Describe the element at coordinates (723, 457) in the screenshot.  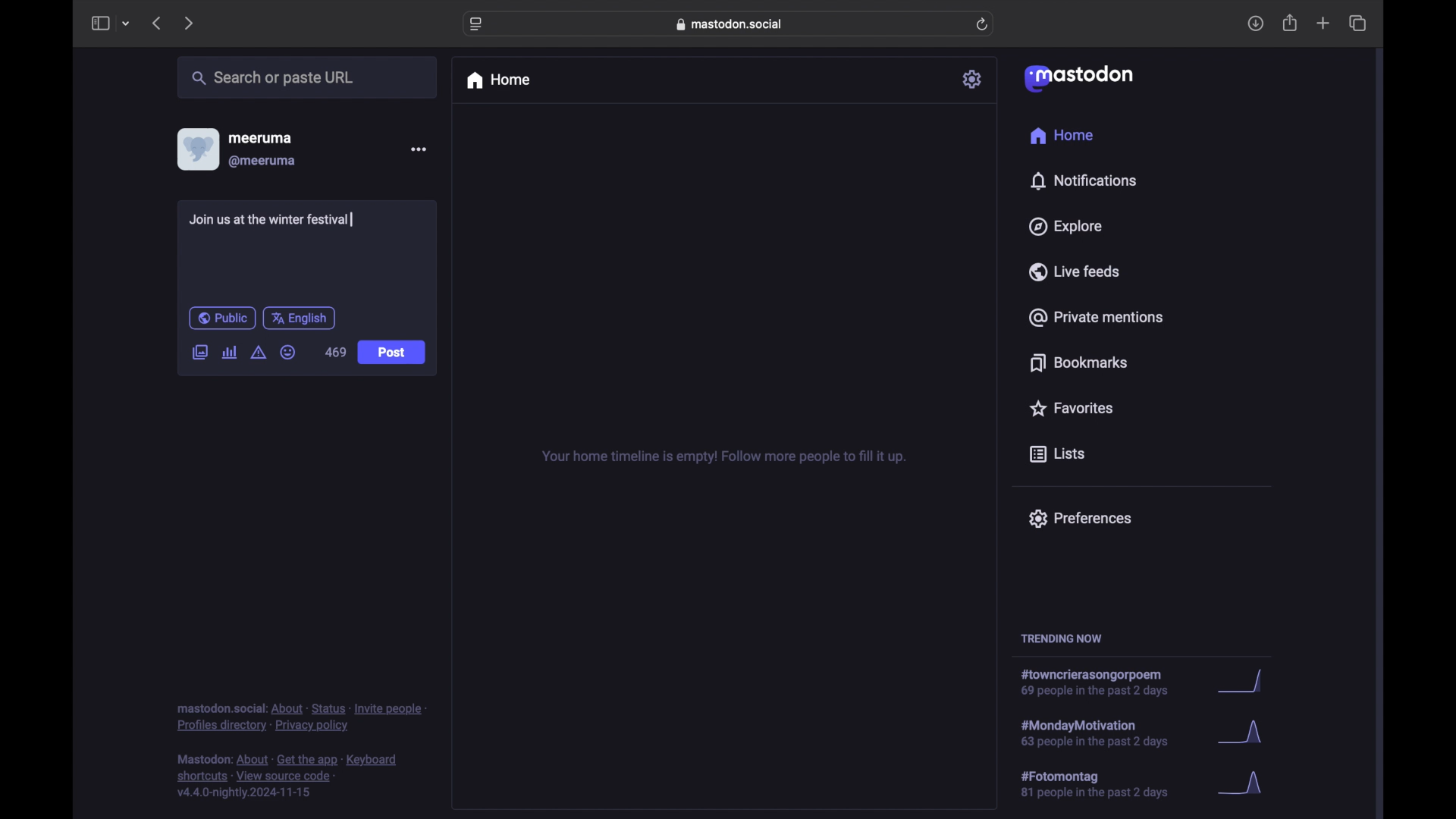
I see `your home timeline is empty! follow more people to fill it up` at that location.